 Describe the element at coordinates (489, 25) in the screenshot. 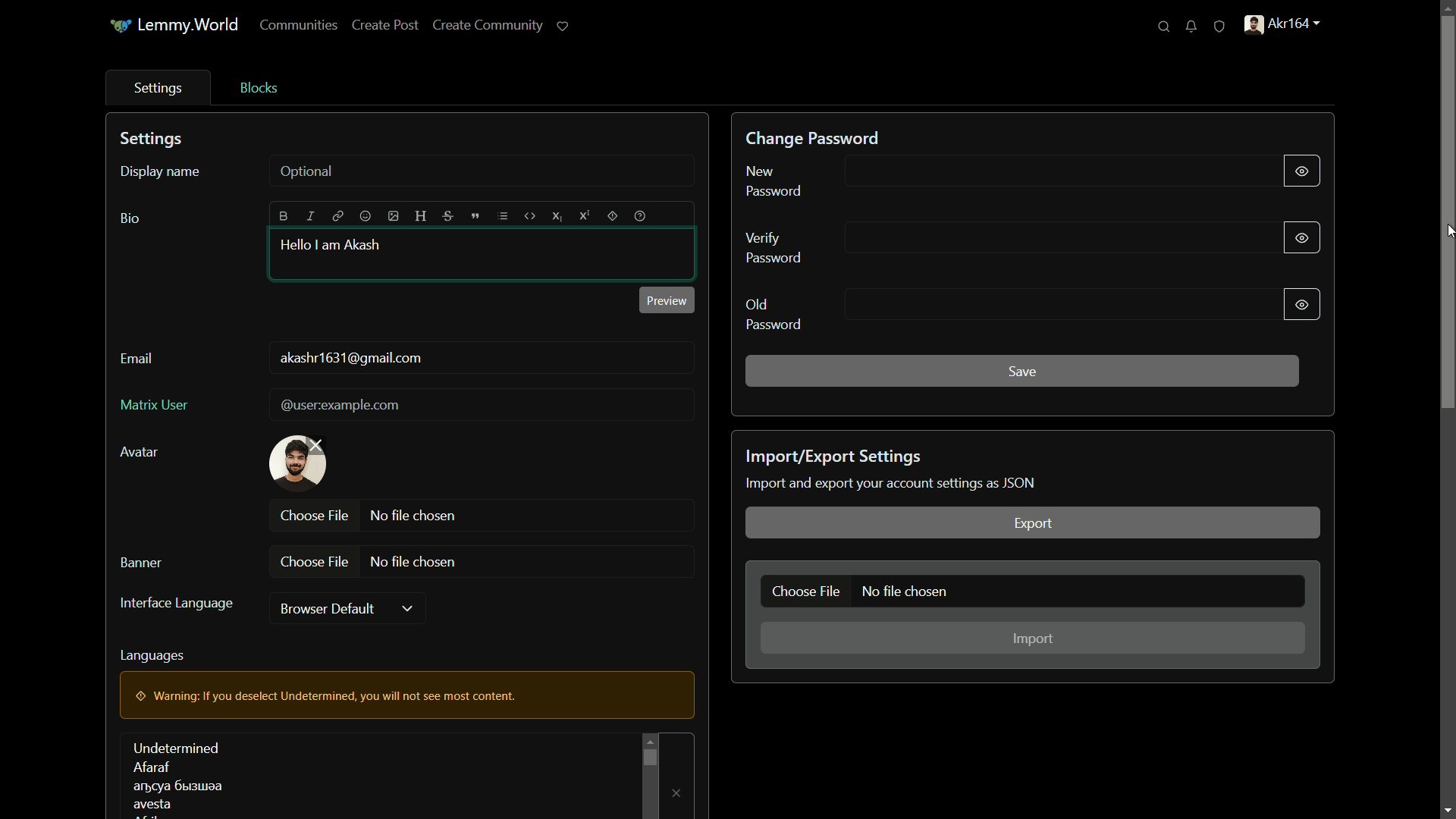

I see `create community` at that location.